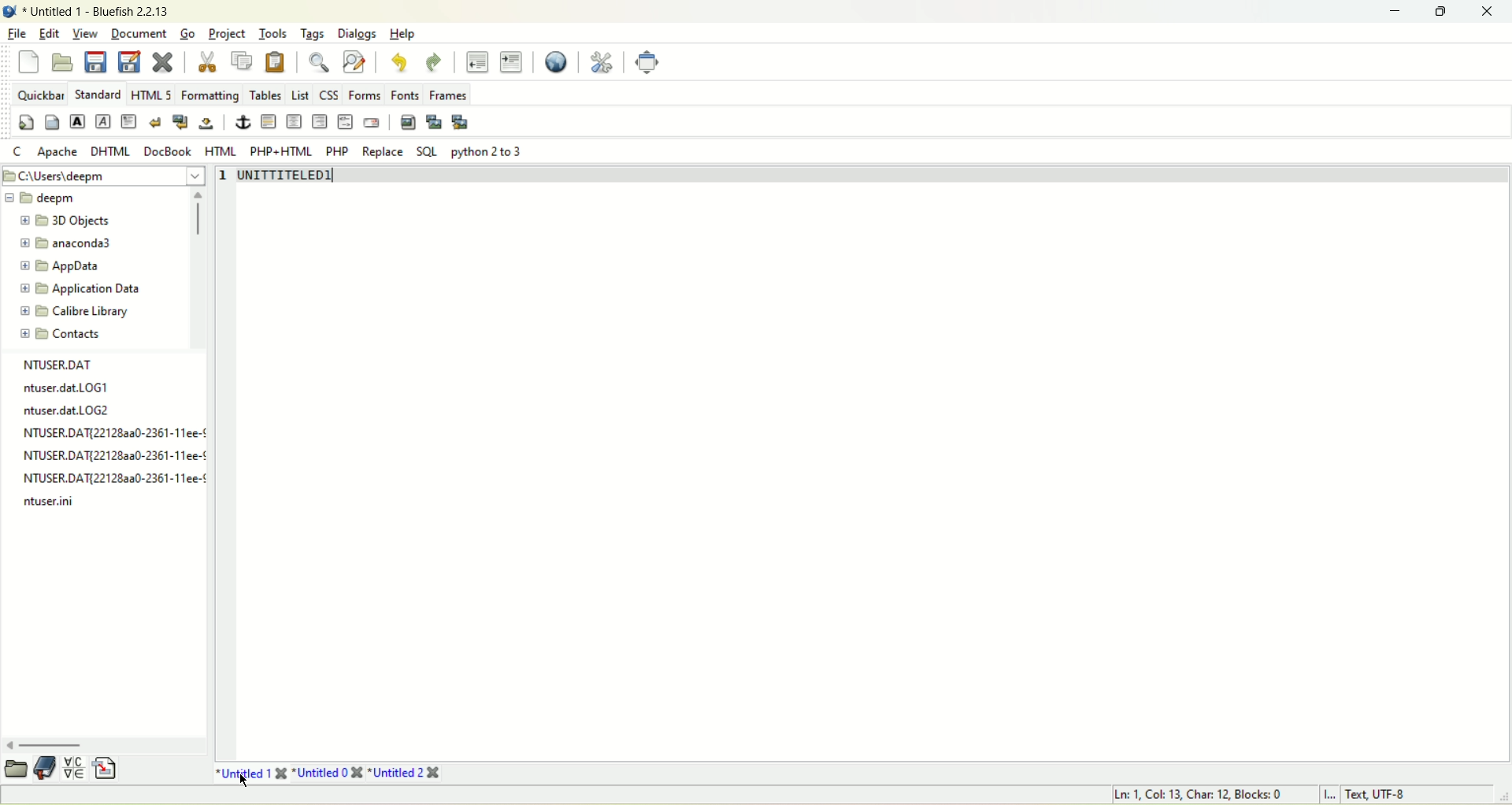 This screenshot has height=805, width=1512. What do you see at coordinates (317, 35) in the screenshot?
I see `Tags` at bounding box center [317, 35].